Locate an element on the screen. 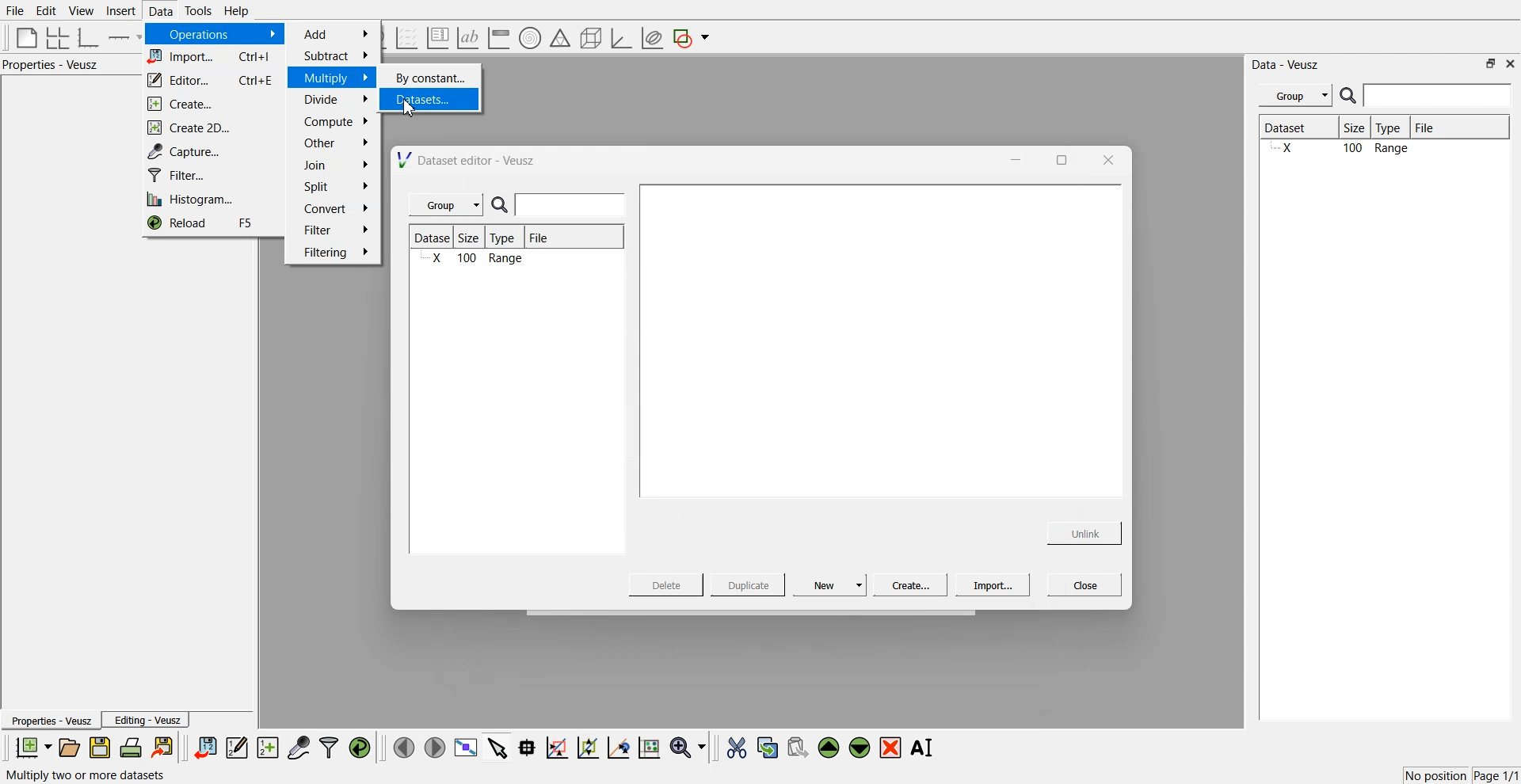  Import... is located at coordinates (993, 585).